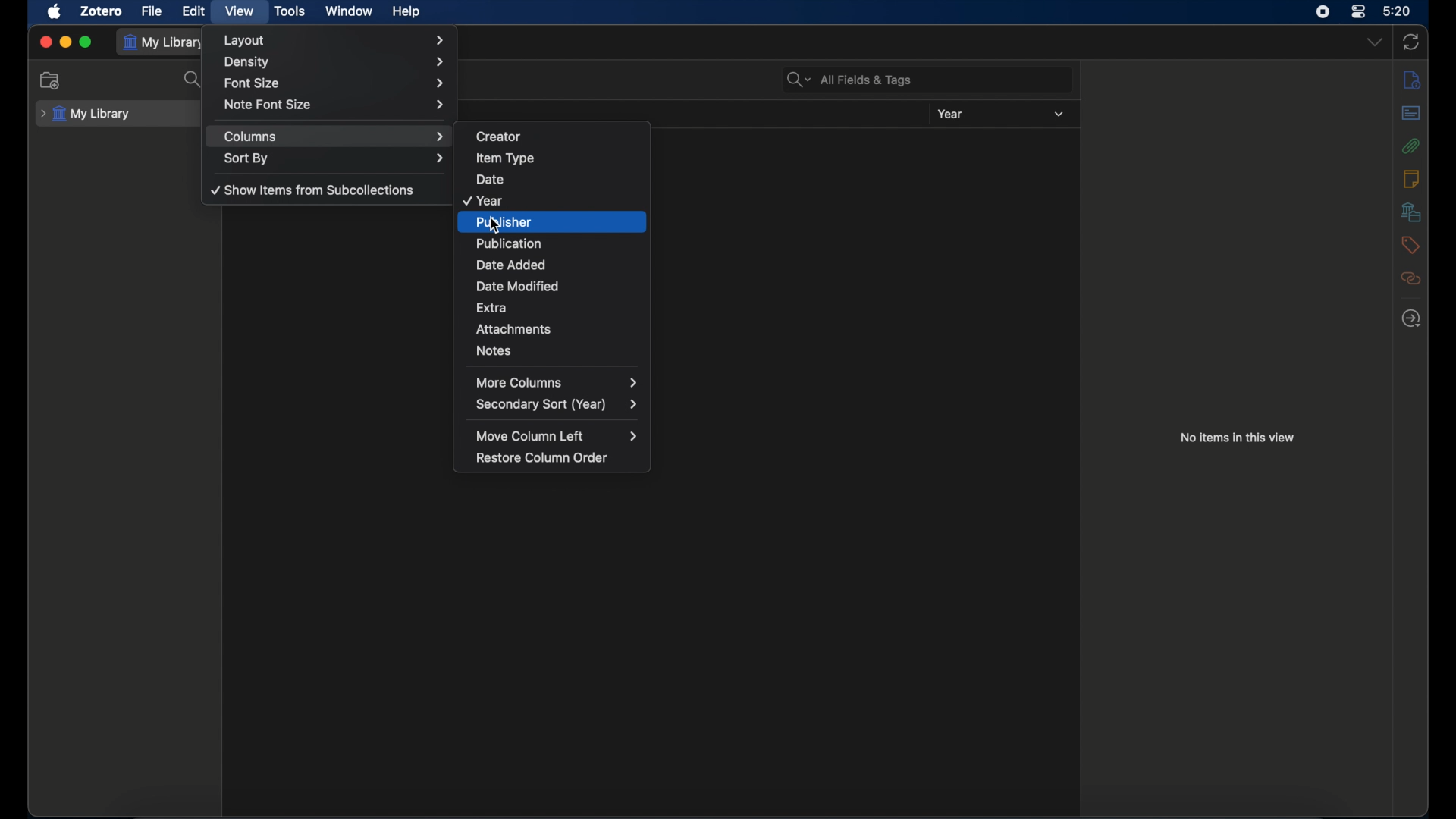  Describe the element at coordinates (290, 11) in the screenshot. I see `tools` at that location.